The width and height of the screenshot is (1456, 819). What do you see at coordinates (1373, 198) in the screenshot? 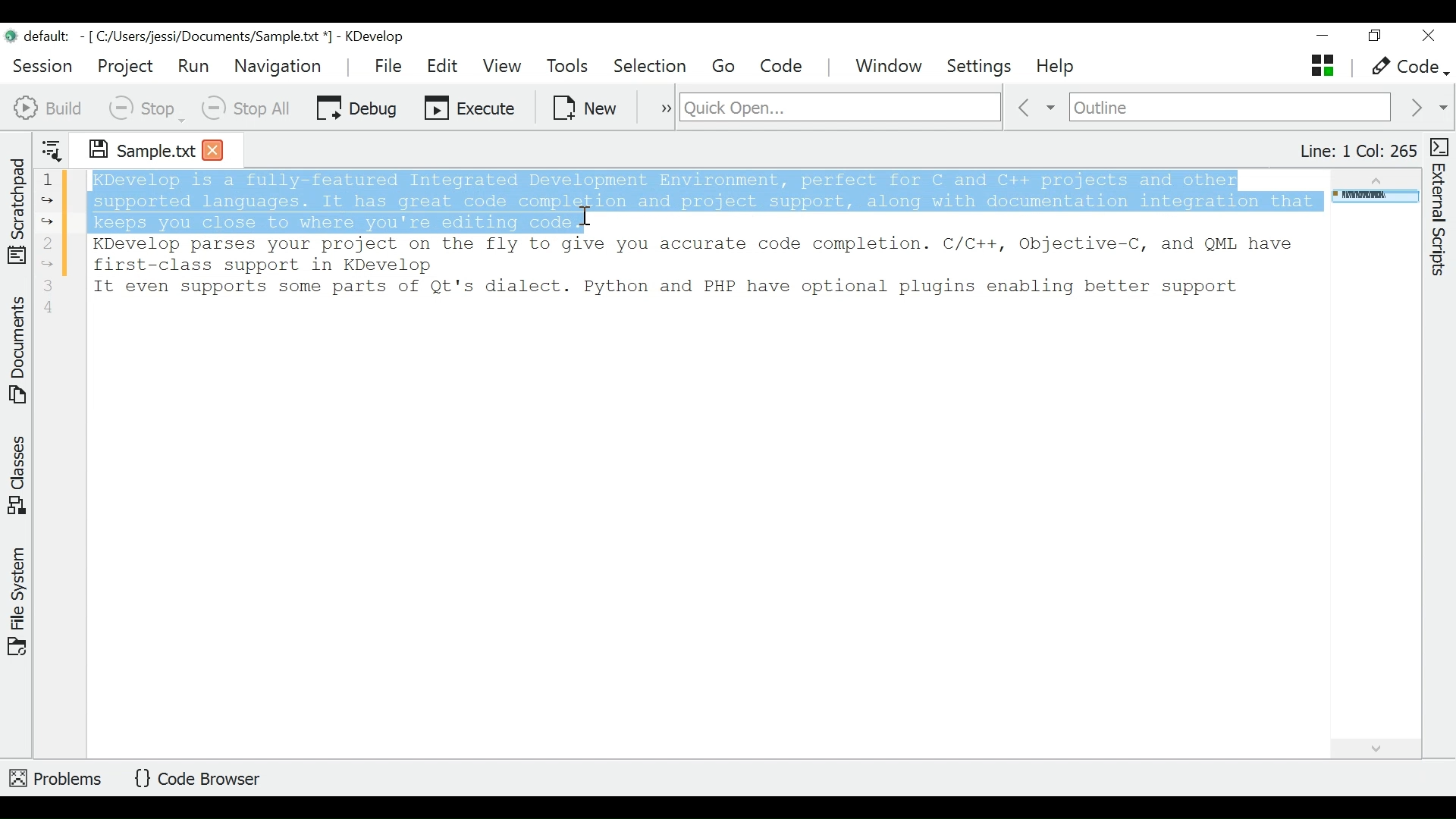
I see `Page Overview` at bounding box center [1373, 198].